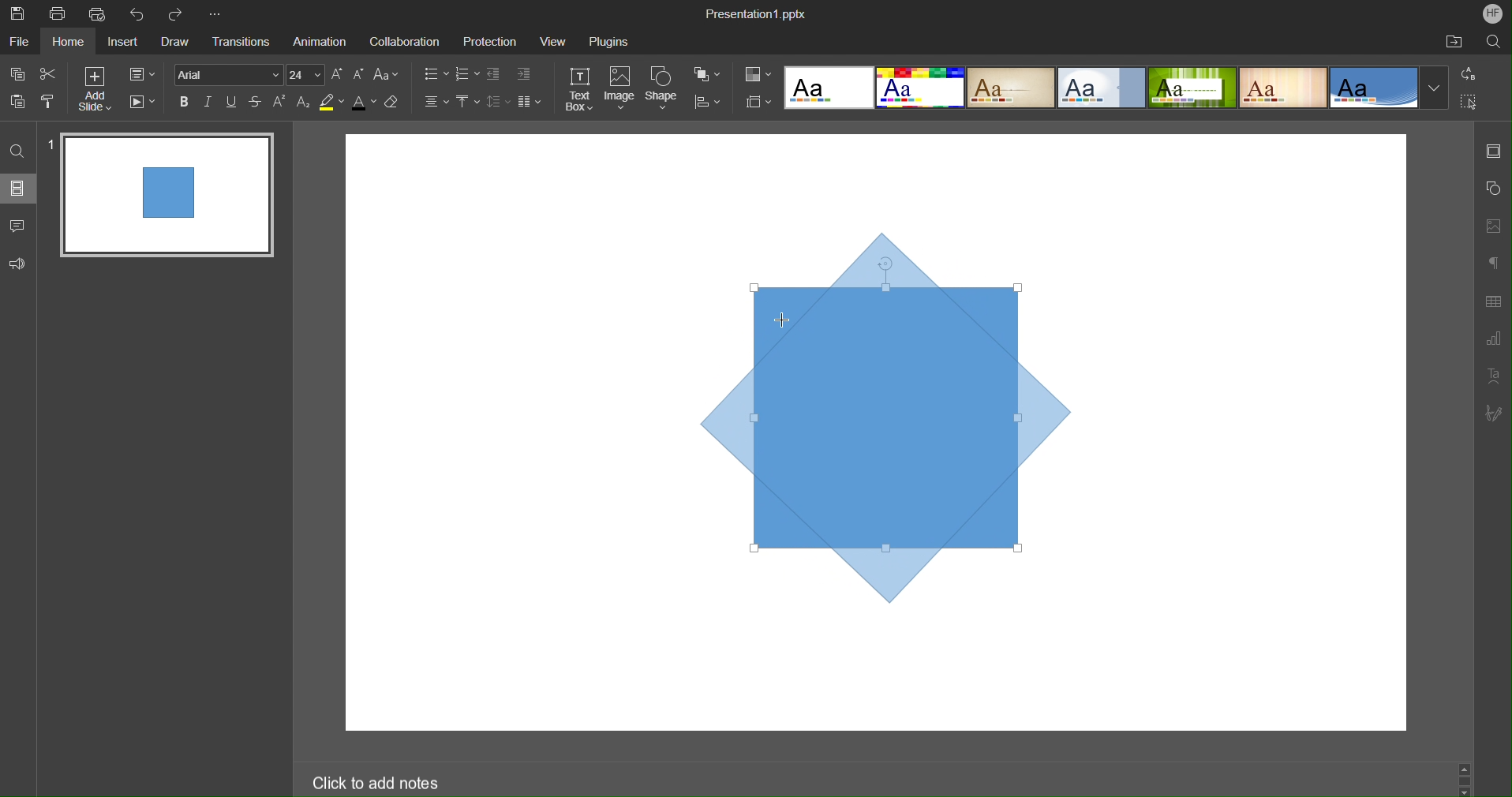 This screenshot has height=797, width=1512. What do you see at coordinates (1493, 341) in the screenshot?
I see `Graph` at bounding box center [1493, 341].